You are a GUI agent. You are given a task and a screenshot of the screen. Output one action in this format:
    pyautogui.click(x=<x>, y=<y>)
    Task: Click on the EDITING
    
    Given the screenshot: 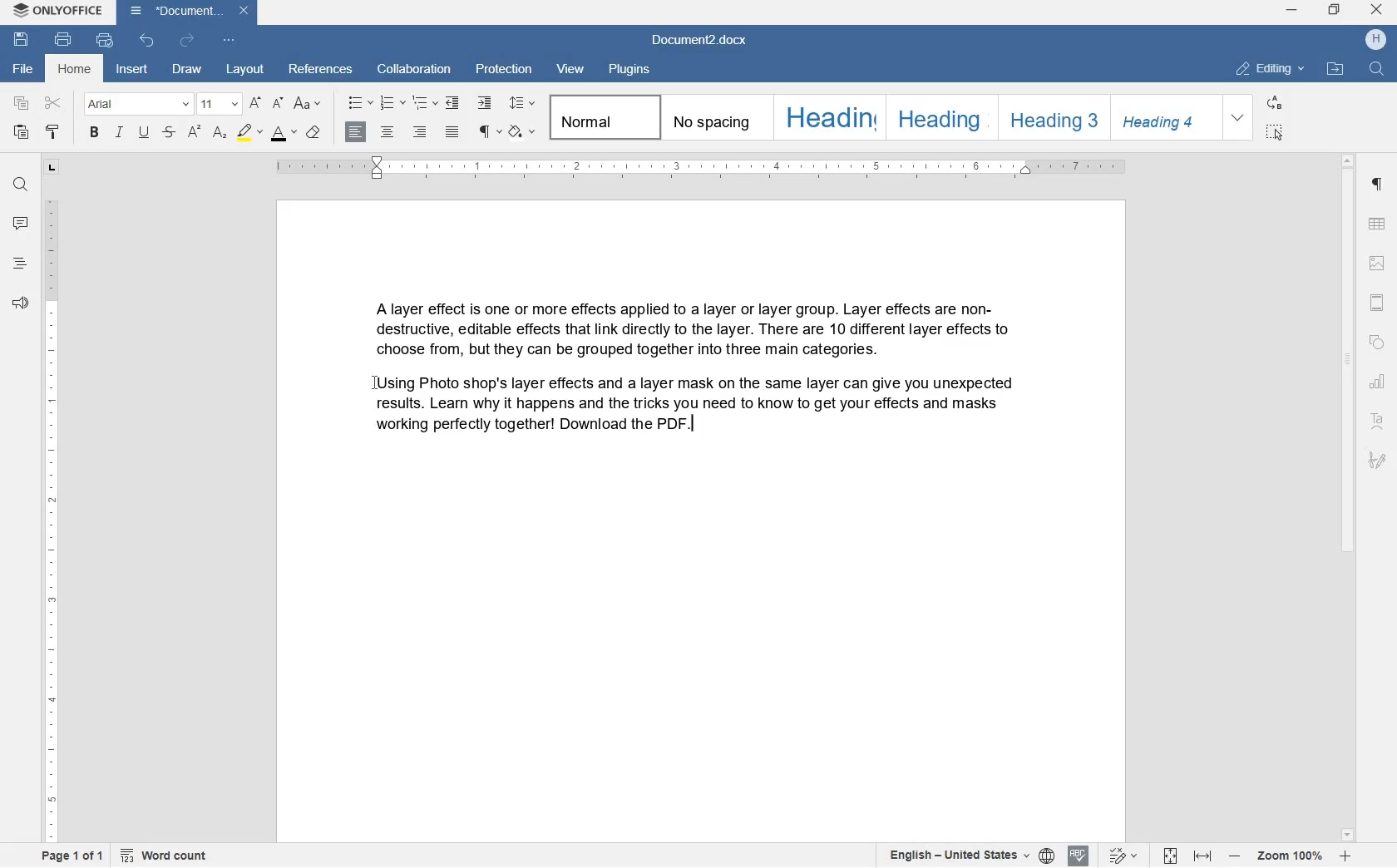 What is the action you would take?
    pyautogui.click(x=1271, y=70)
    